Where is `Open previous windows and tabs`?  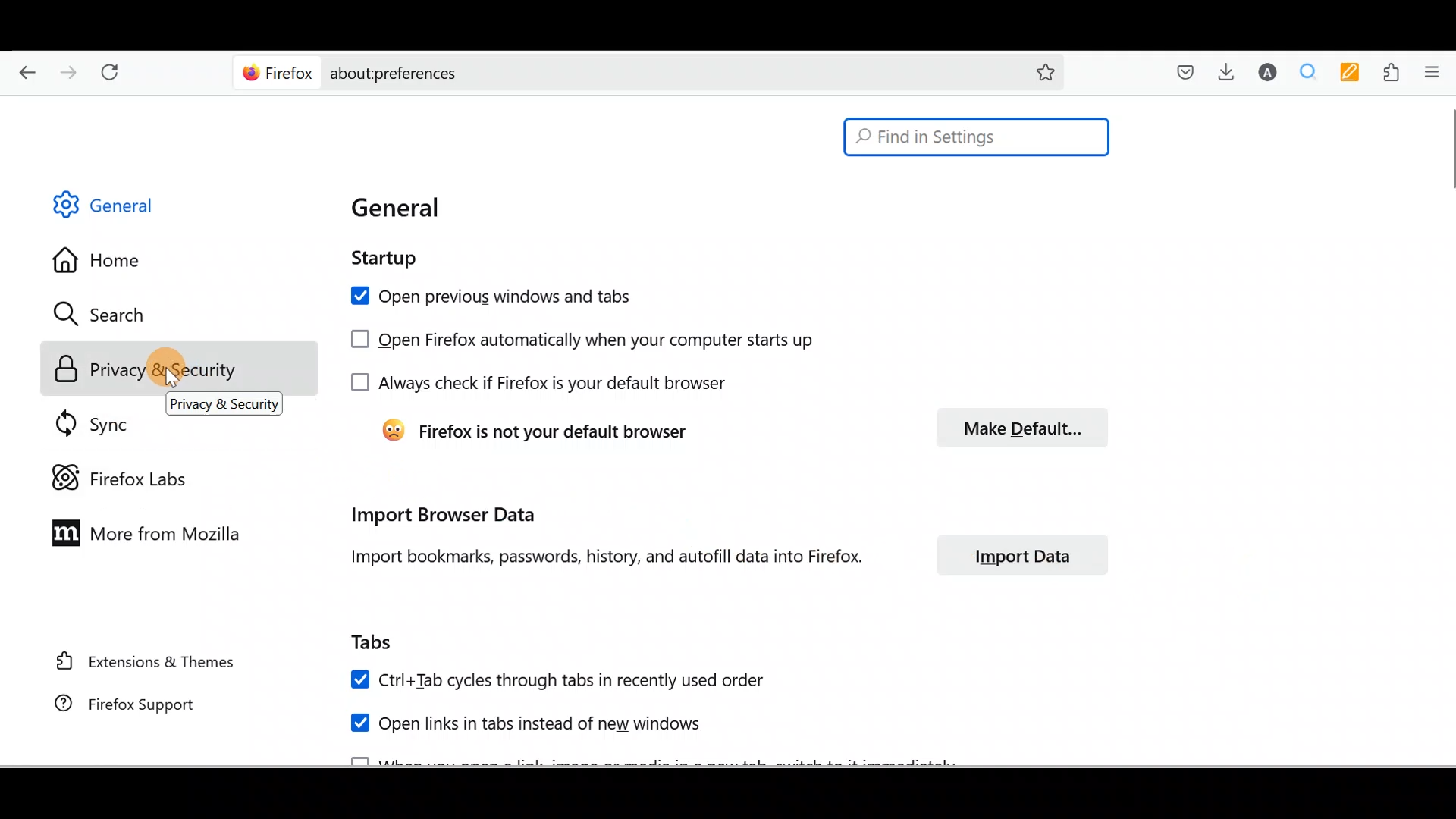
Open previous windows and tabs is located at coordinates (526, 296).